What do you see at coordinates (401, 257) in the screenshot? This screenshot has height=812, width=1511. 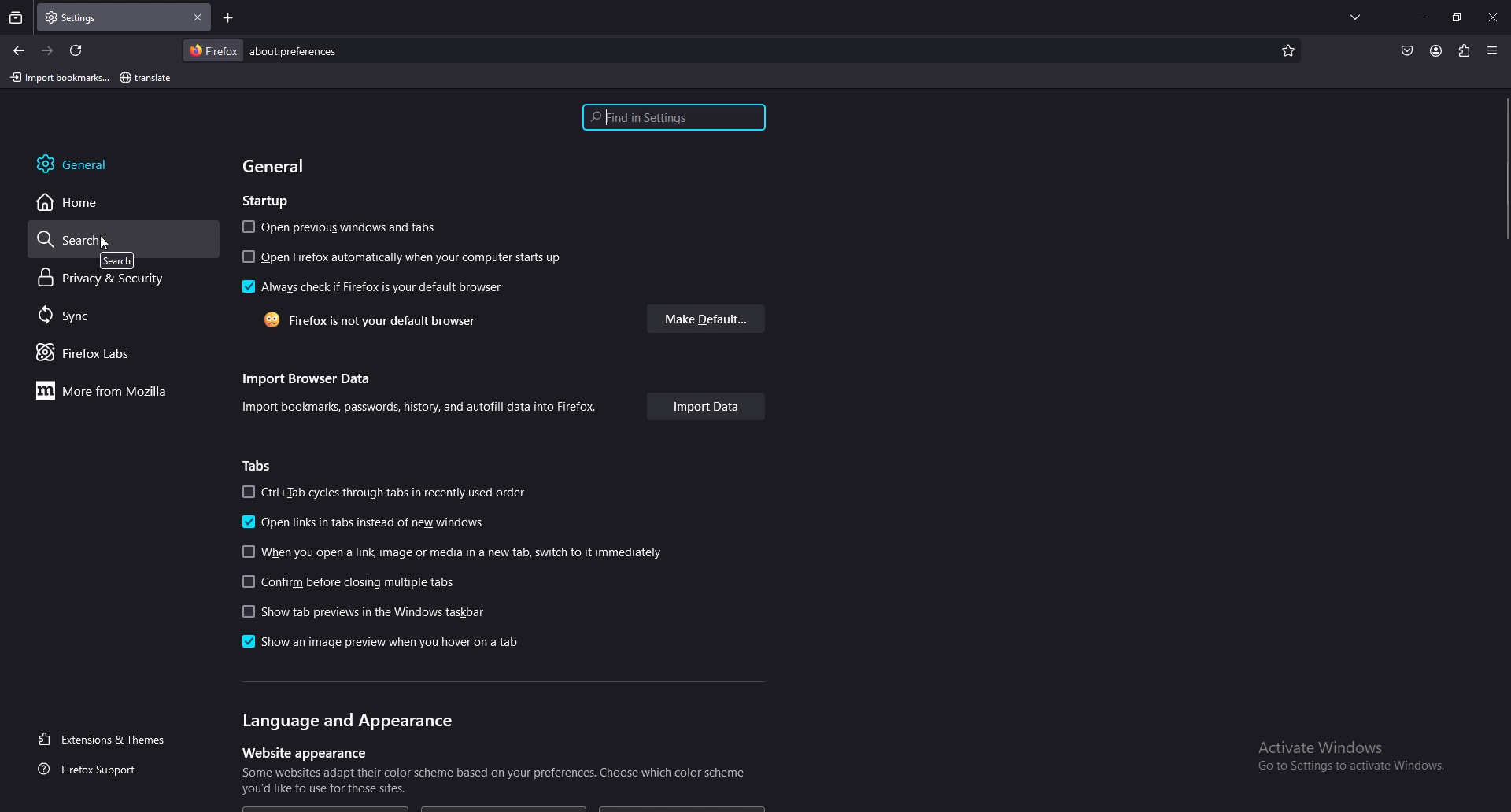 I see `open firefox on startup` at bounding box center [401, 257].